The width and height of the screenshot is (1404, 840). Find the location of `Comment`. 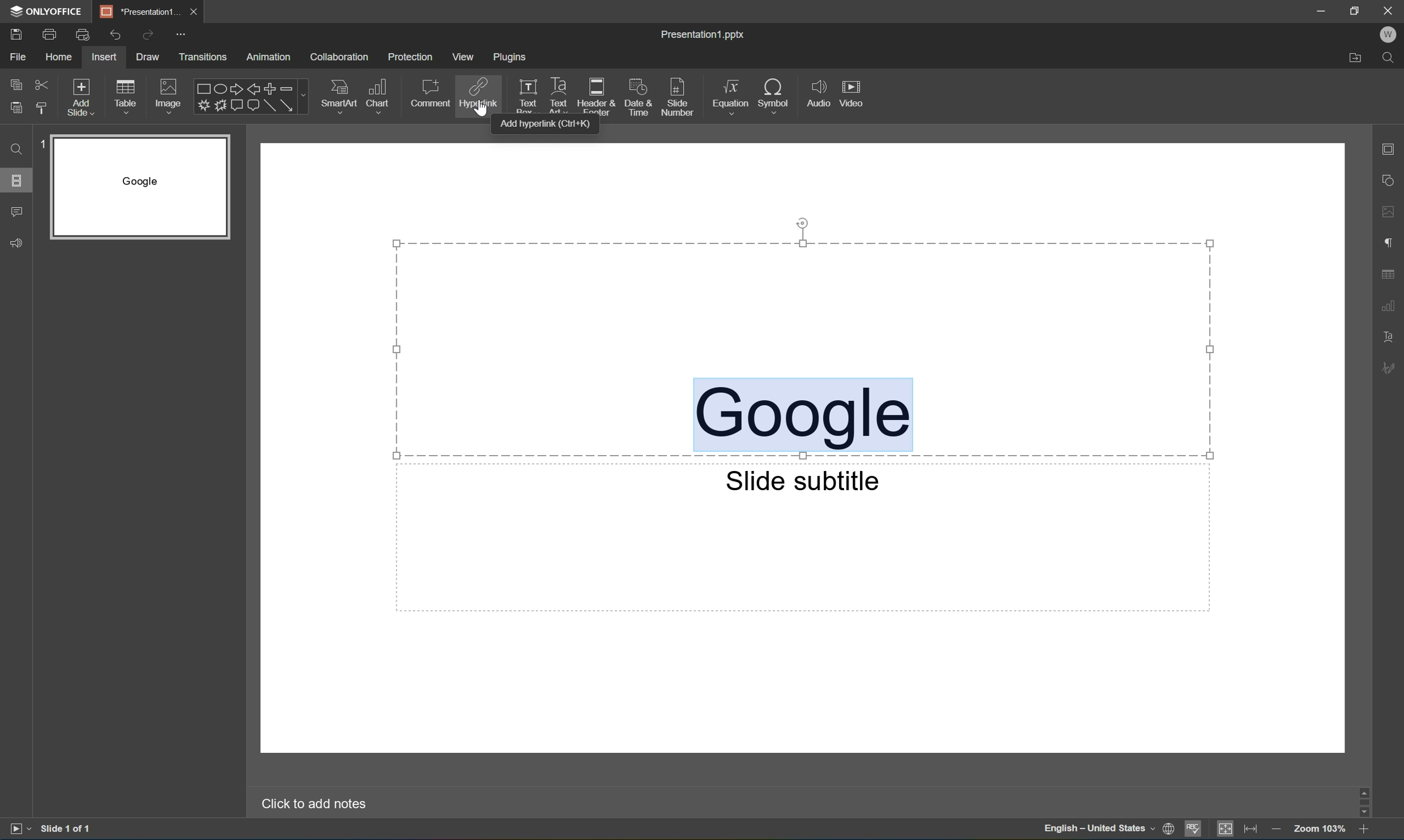

Comment is located at coordinates (429, 95).